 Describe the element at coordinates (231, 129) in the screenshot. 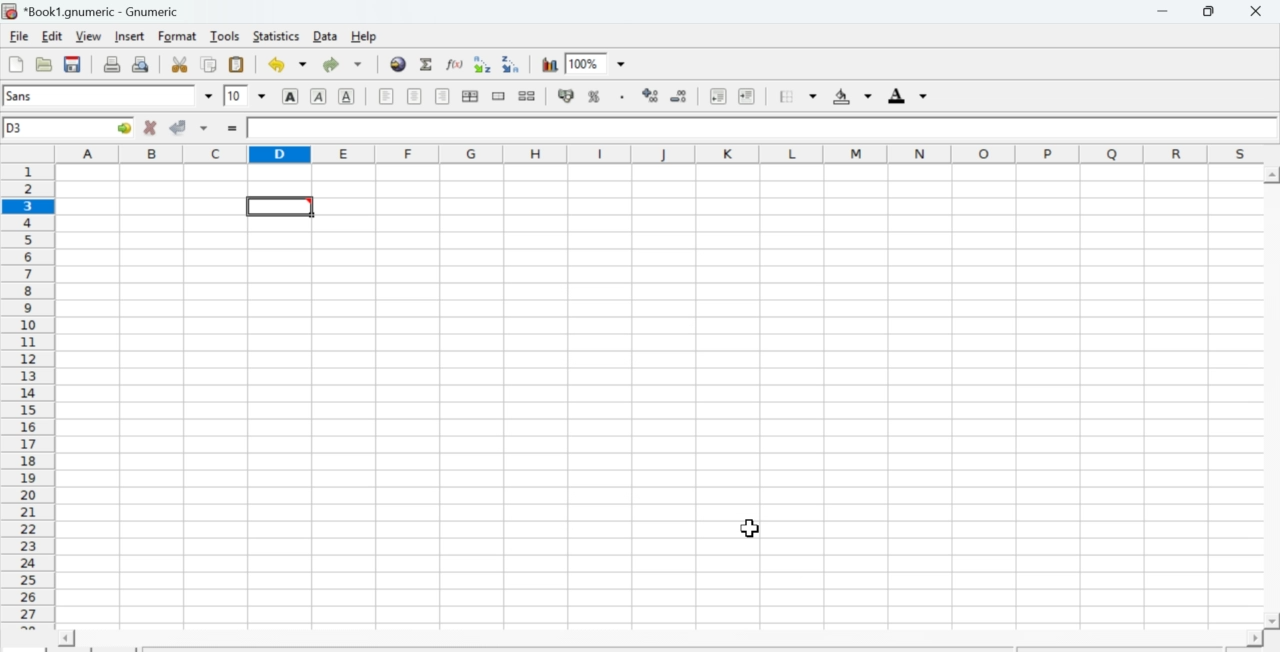

I see `=` at that location.